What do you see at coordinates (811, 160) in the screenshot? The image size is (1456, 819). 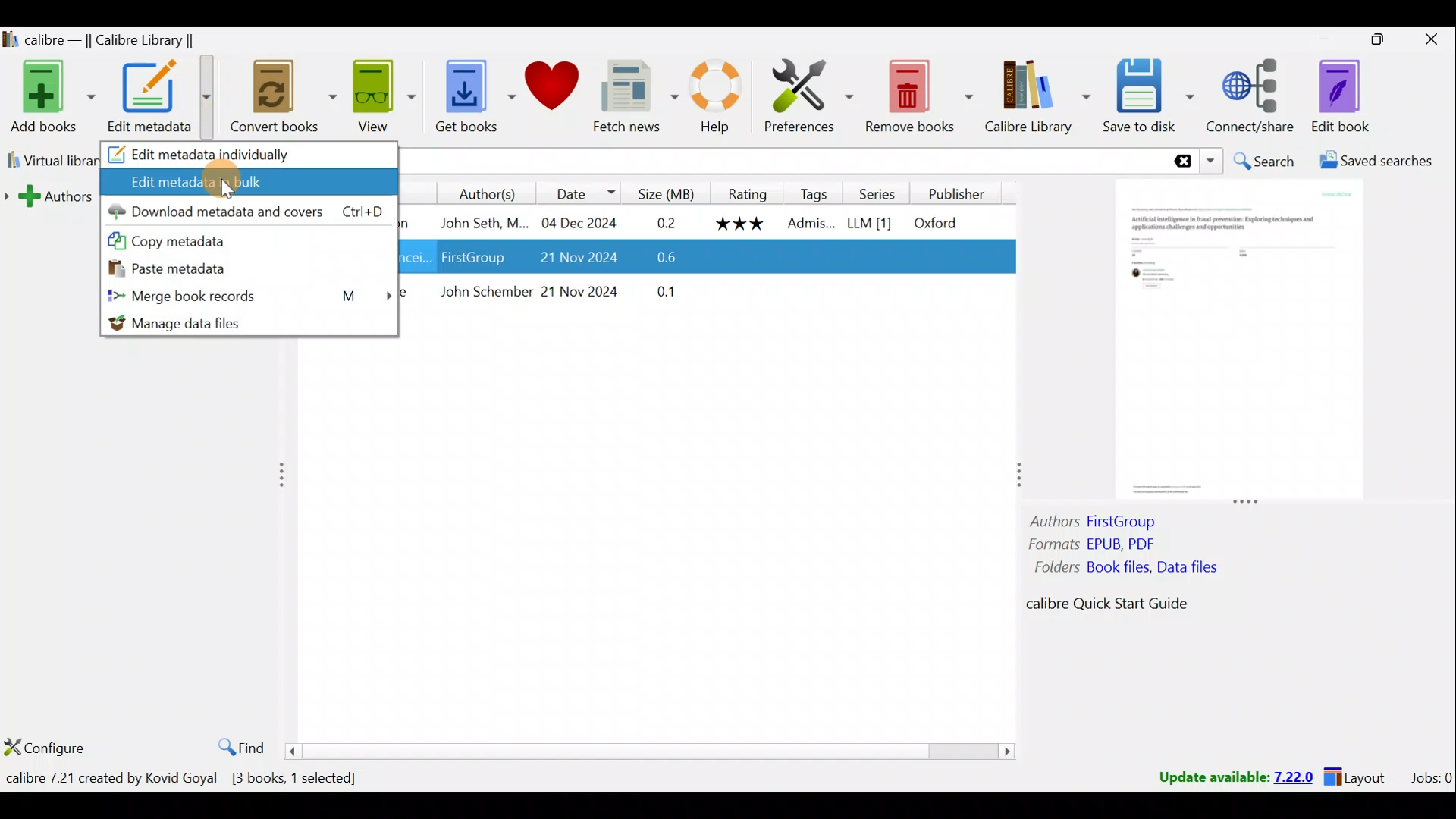 I see `Search bar` at bounding box center [811, 160].